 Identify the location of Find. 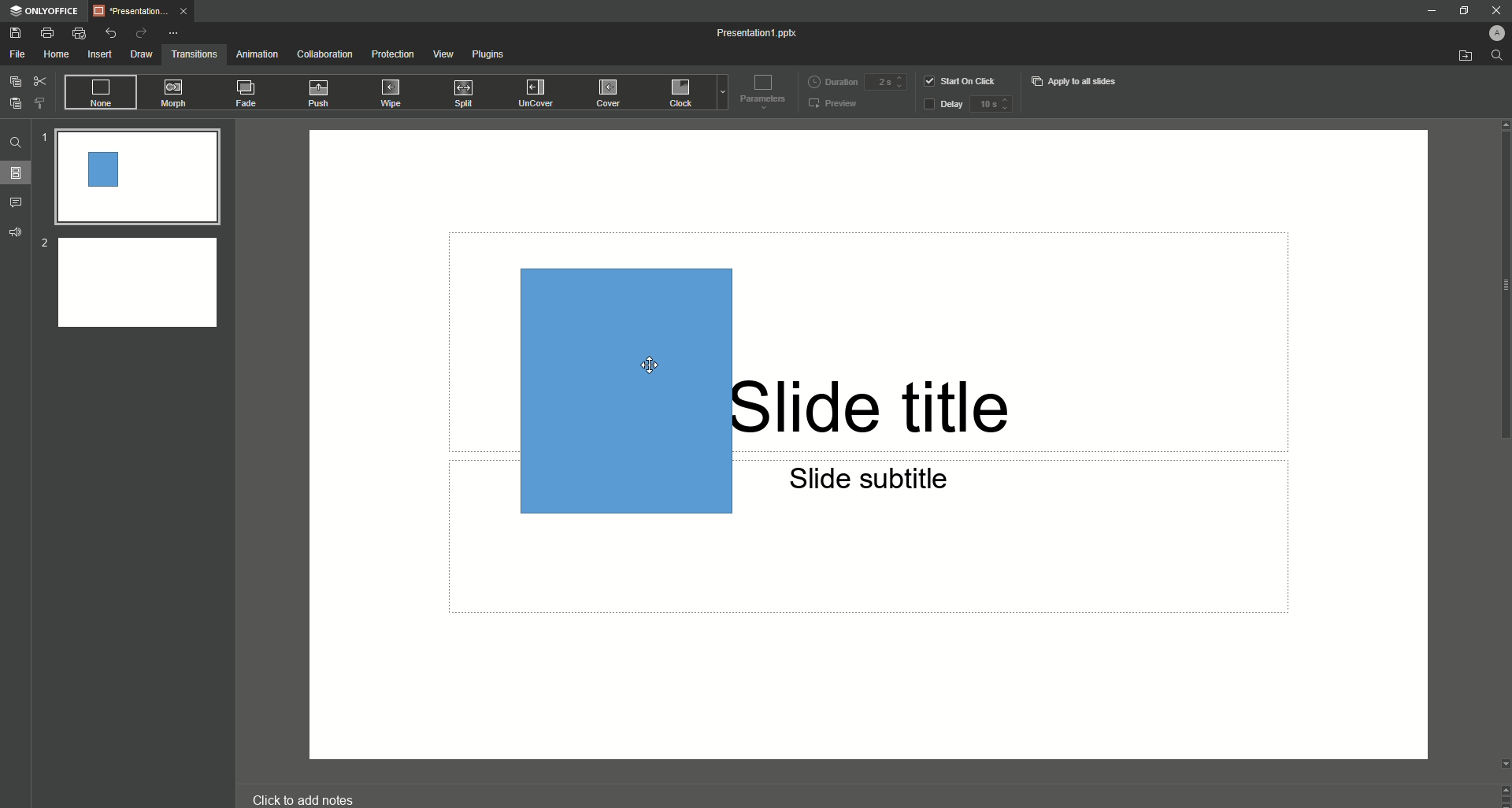
(14, 142).